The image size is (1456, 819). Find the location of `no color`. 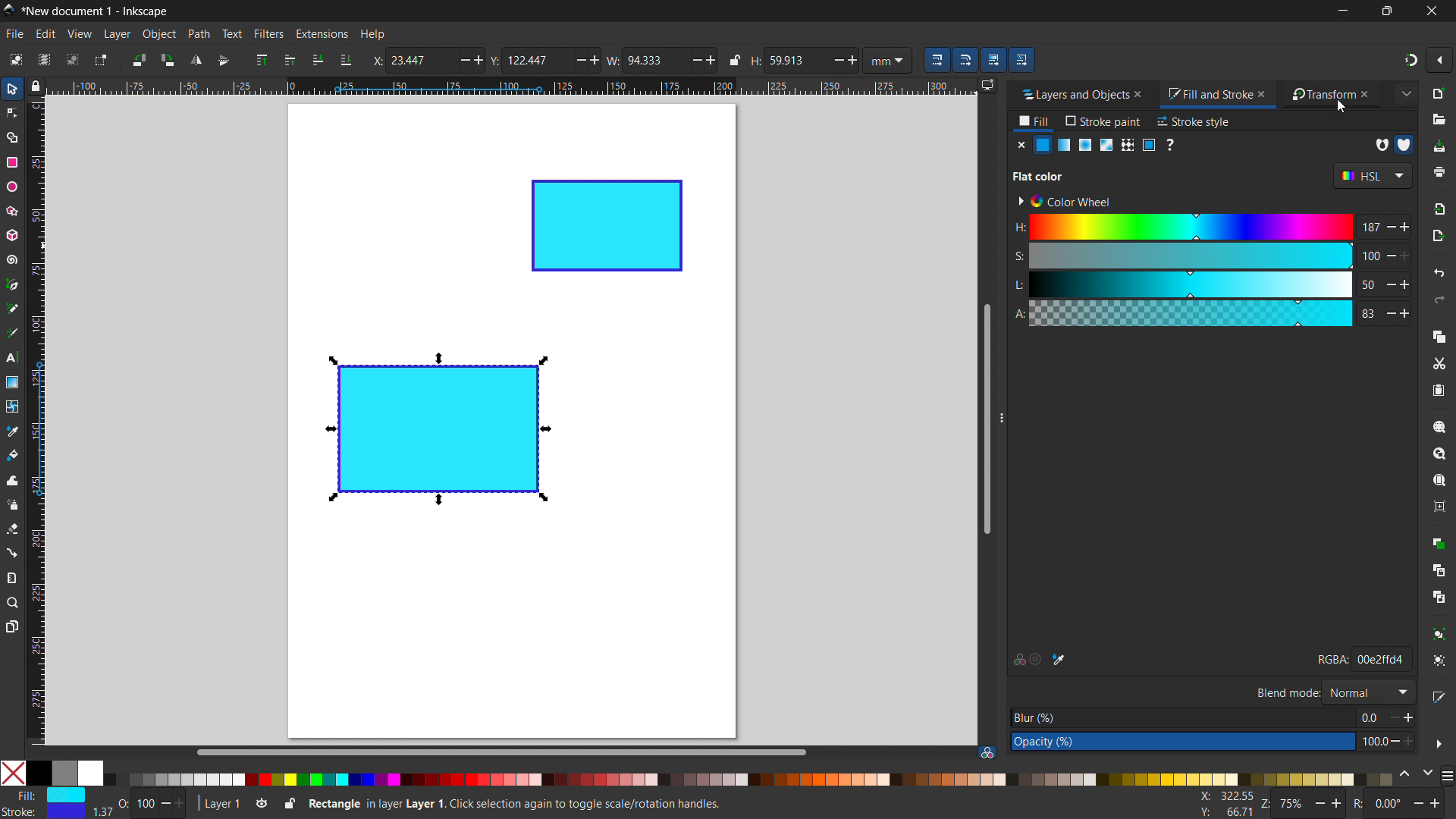

no color is located at coordinates (1021, 144).